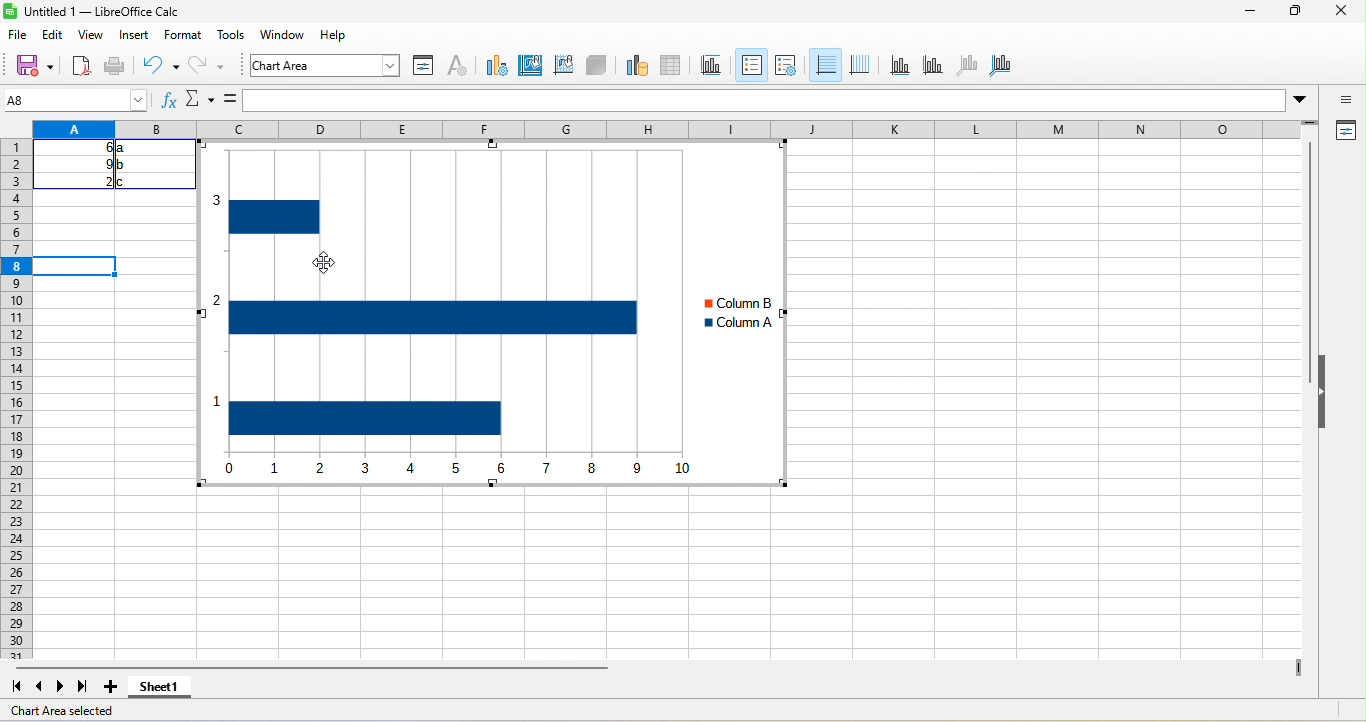 The height and width of the screenshot is (722, 1366). Describe the element at coordinates (199, 101) in the screenshot. I see `name box` at that location.